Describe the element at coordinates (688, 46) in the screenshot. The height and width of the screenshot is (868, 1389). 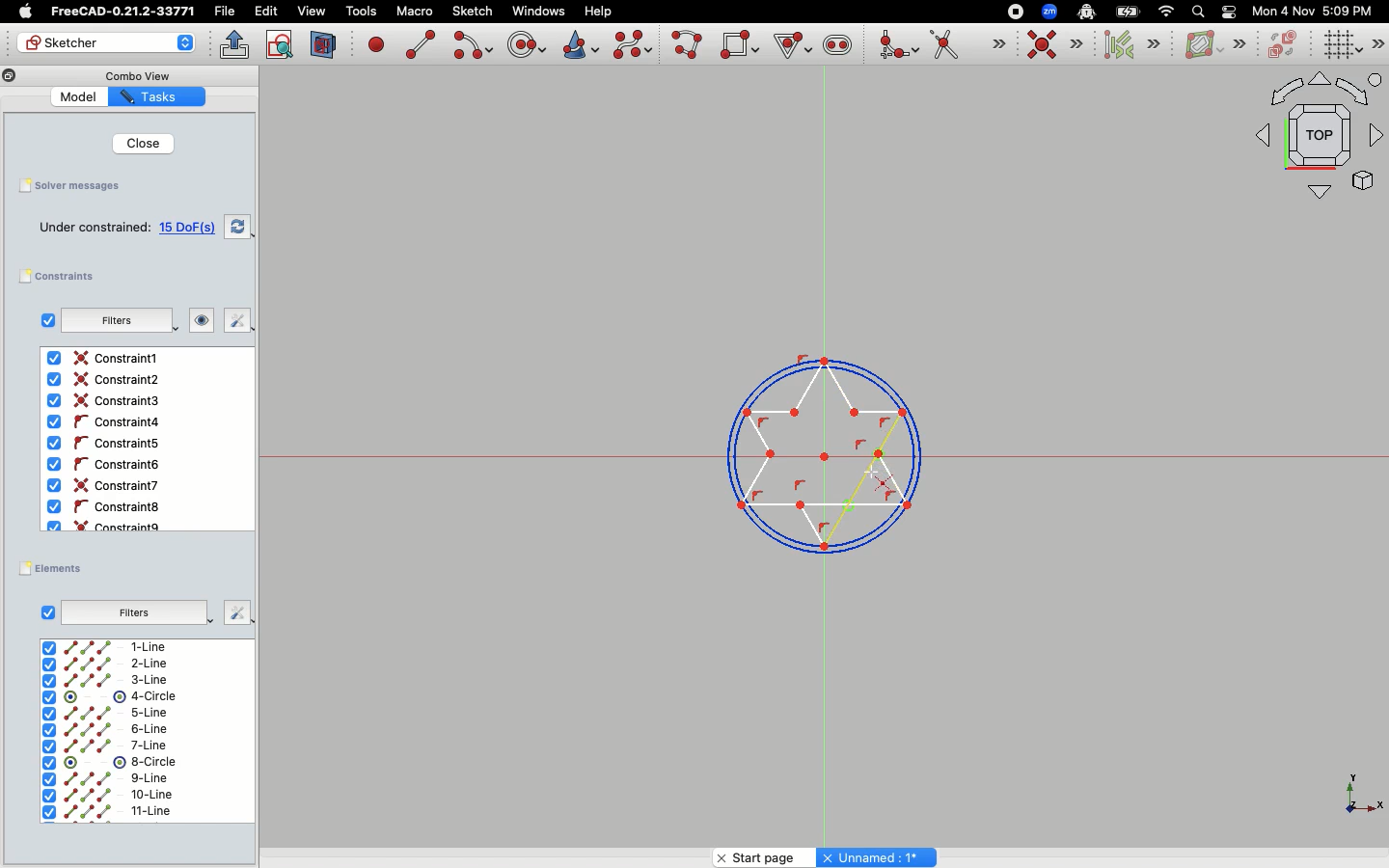
I see `Create poly line` at that location.